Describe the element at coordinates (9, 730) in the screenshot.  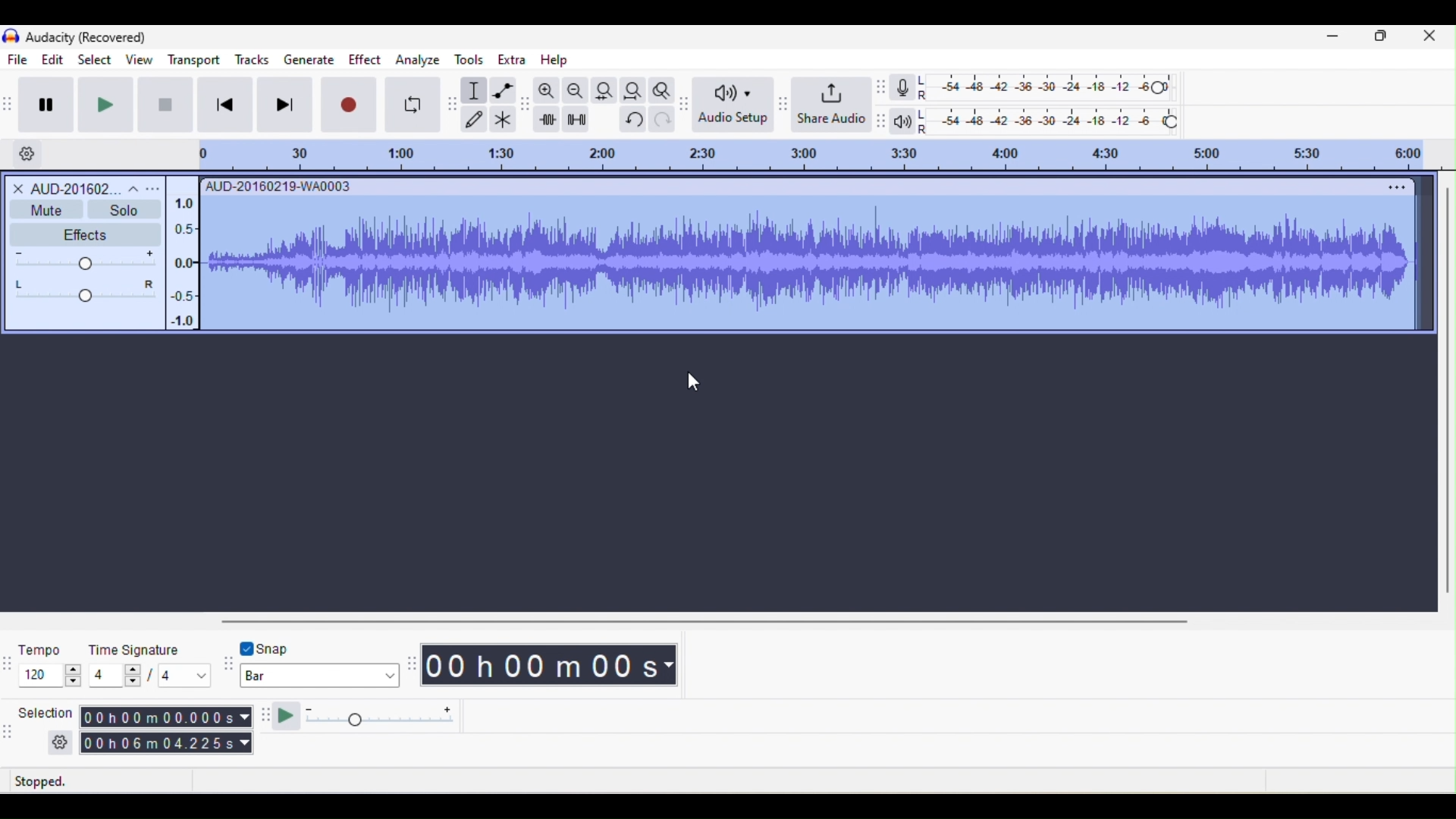
I see `audacity selection toolbar` at that location.